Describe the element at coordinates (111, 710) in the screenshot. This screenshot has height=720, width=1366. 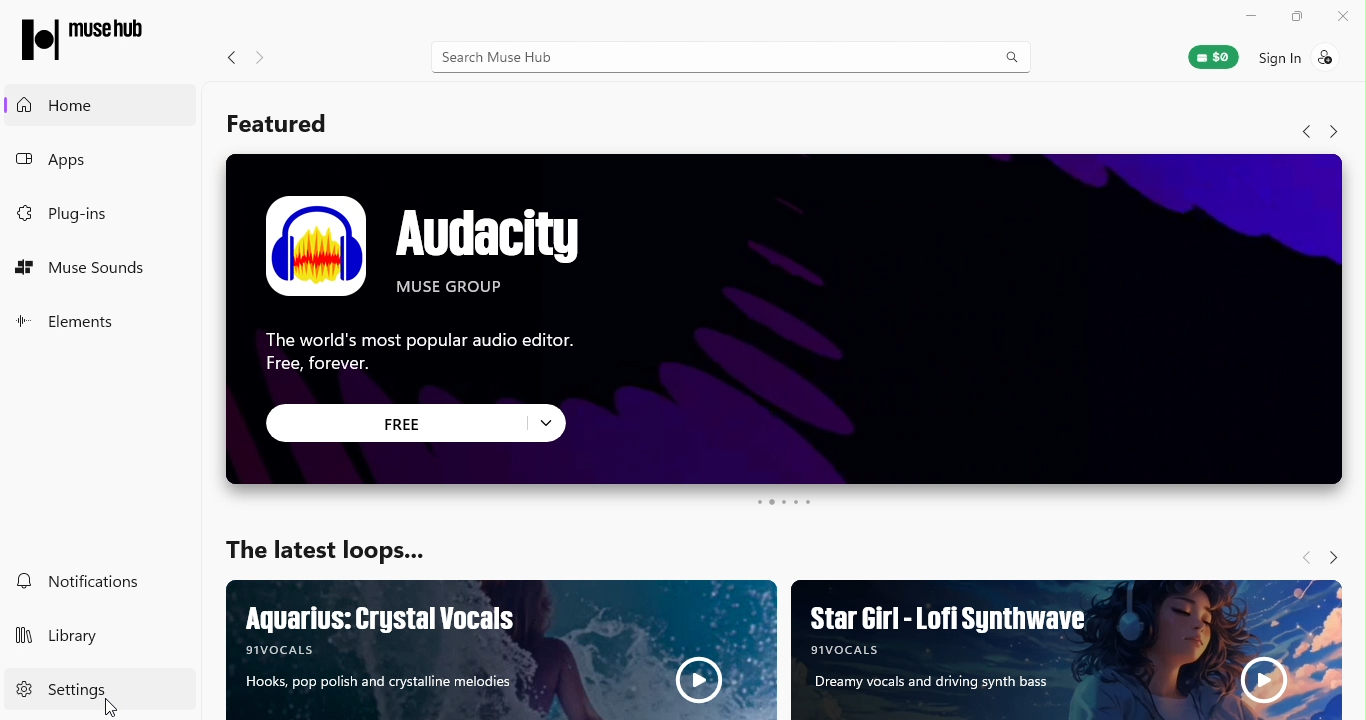
I see `Cursor` at that location.